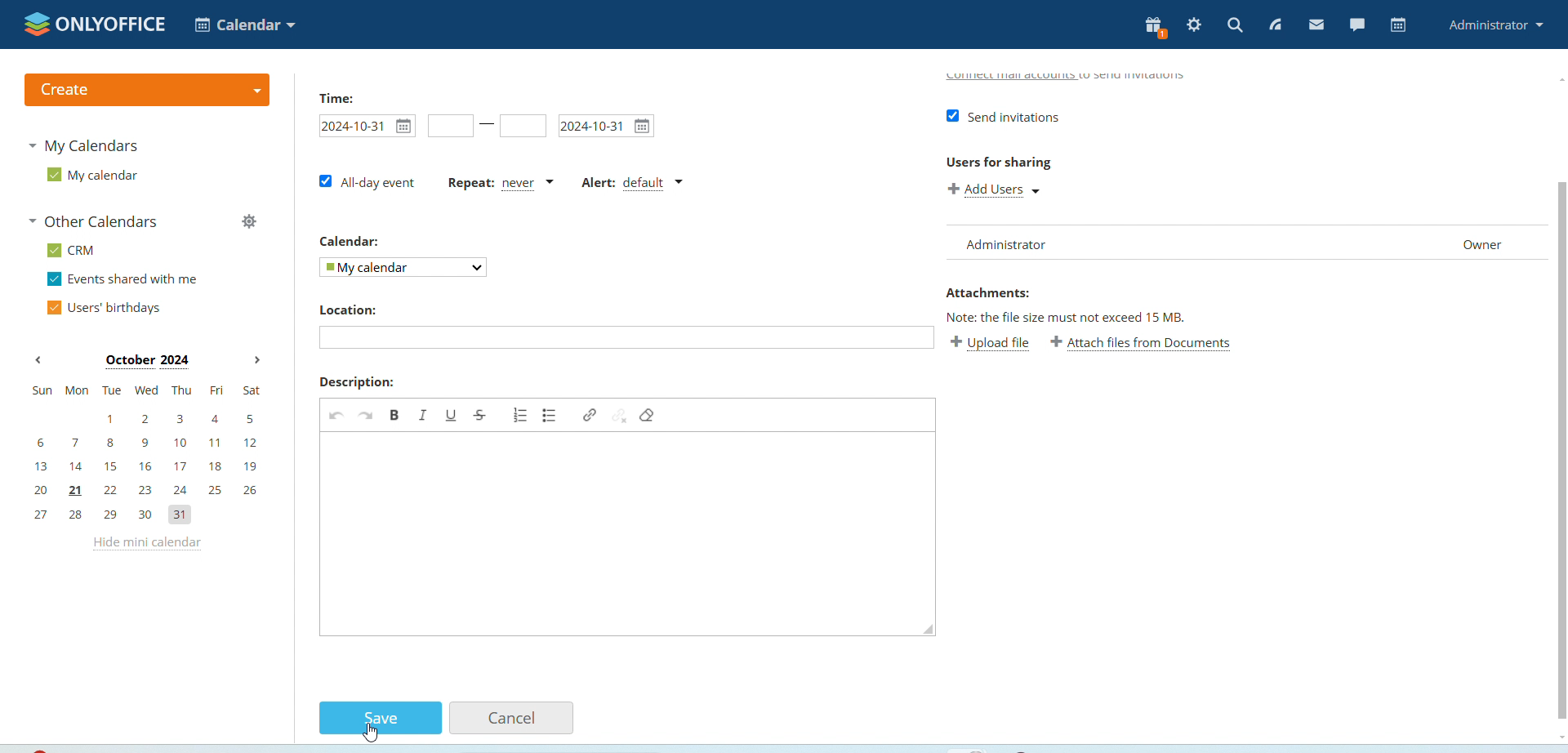  Describe the element at coordinates (1063, 316) in the screenshot. I see `Note: the file size must not exceed 15 MB` at that location.